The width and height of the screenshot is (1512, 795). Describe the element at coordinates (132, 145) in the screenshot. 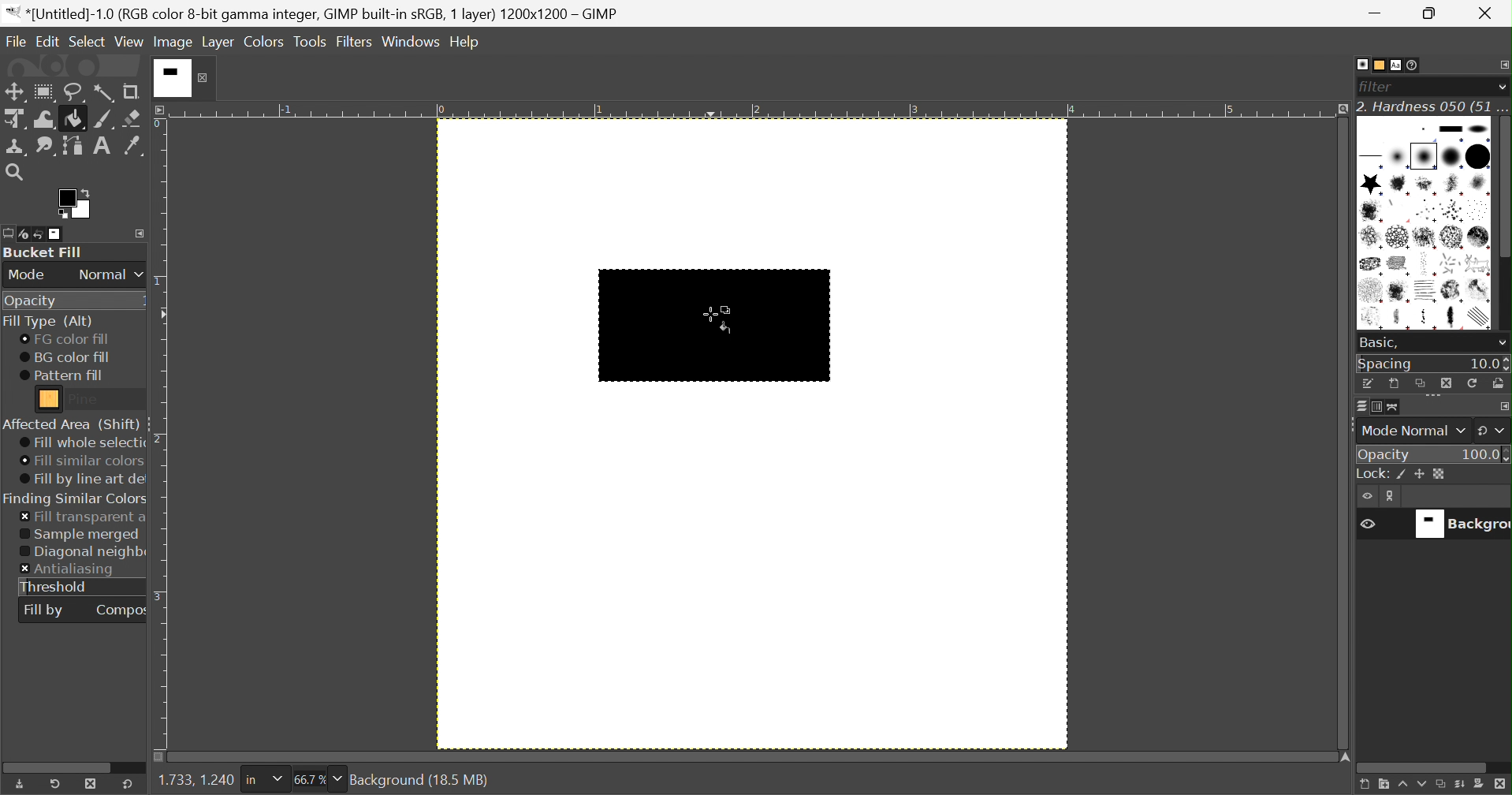

I see `Color Picker Tool` at that location.